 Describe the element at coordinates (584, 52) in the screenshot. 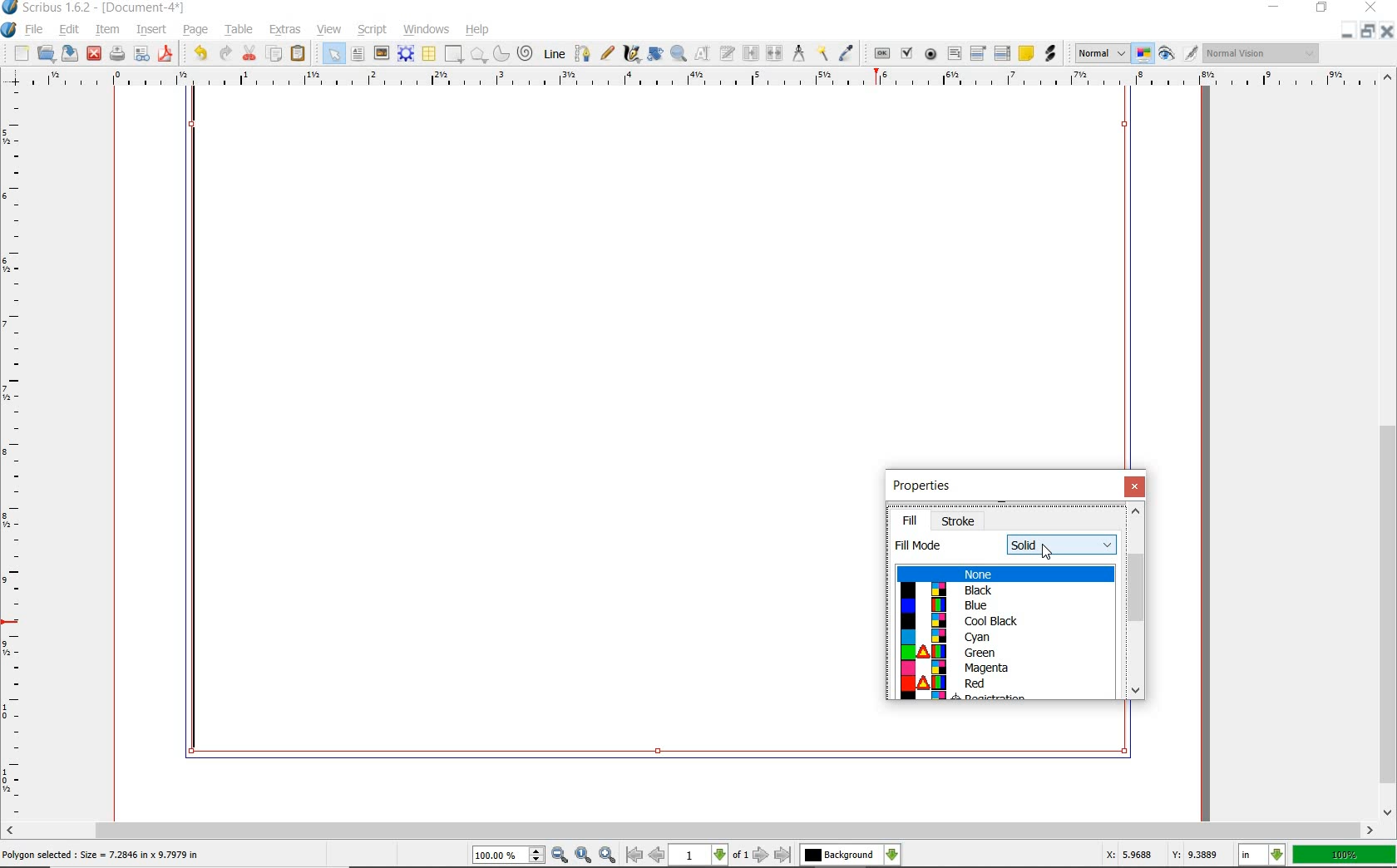

I see `Bezier curve` at that location.